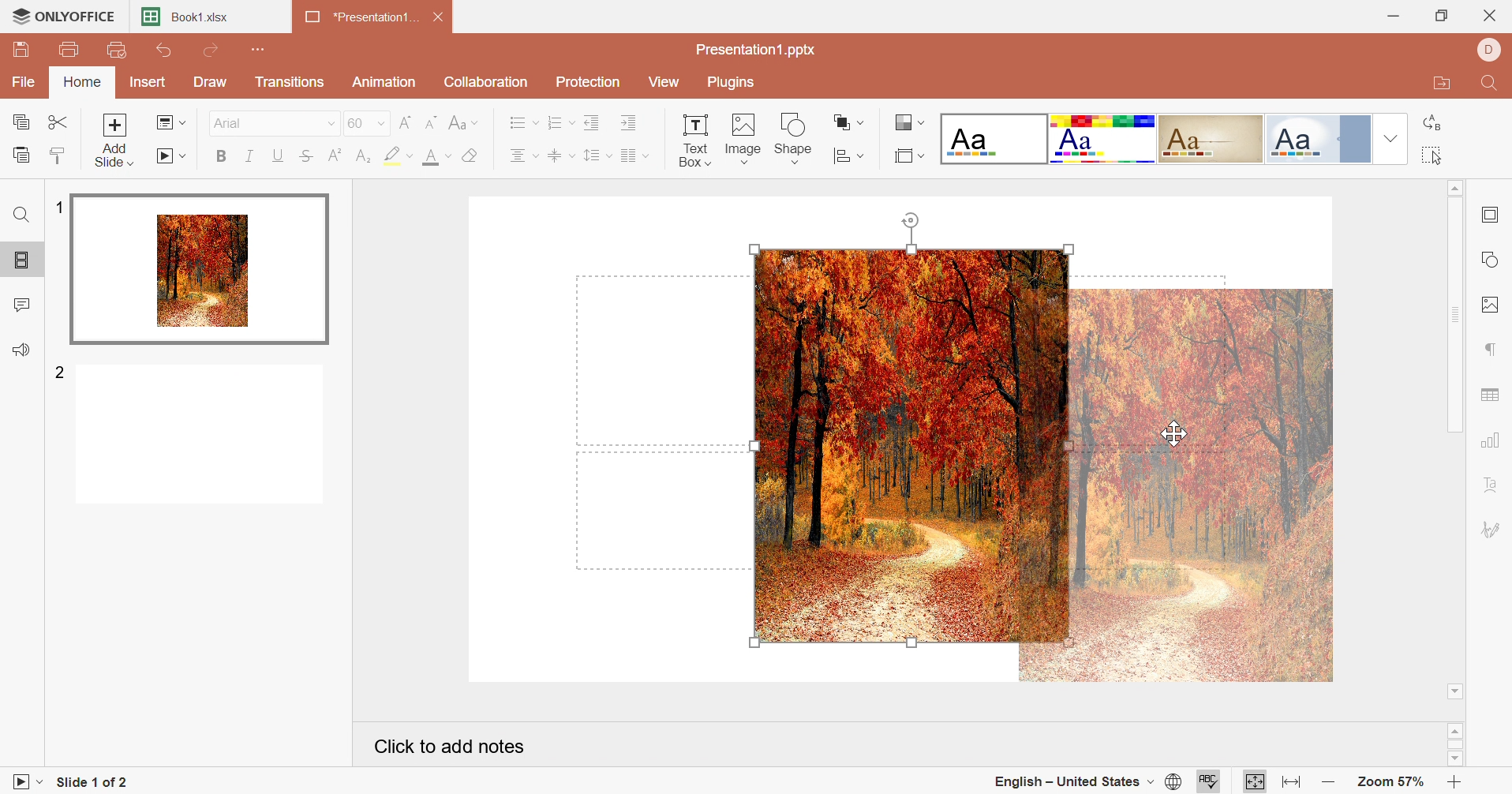 This screenshot has height=794, width=1512. What do you see at coordinates (735, 83) in the screenshot?
I see `Plugins` at bounding box center [735, 83].